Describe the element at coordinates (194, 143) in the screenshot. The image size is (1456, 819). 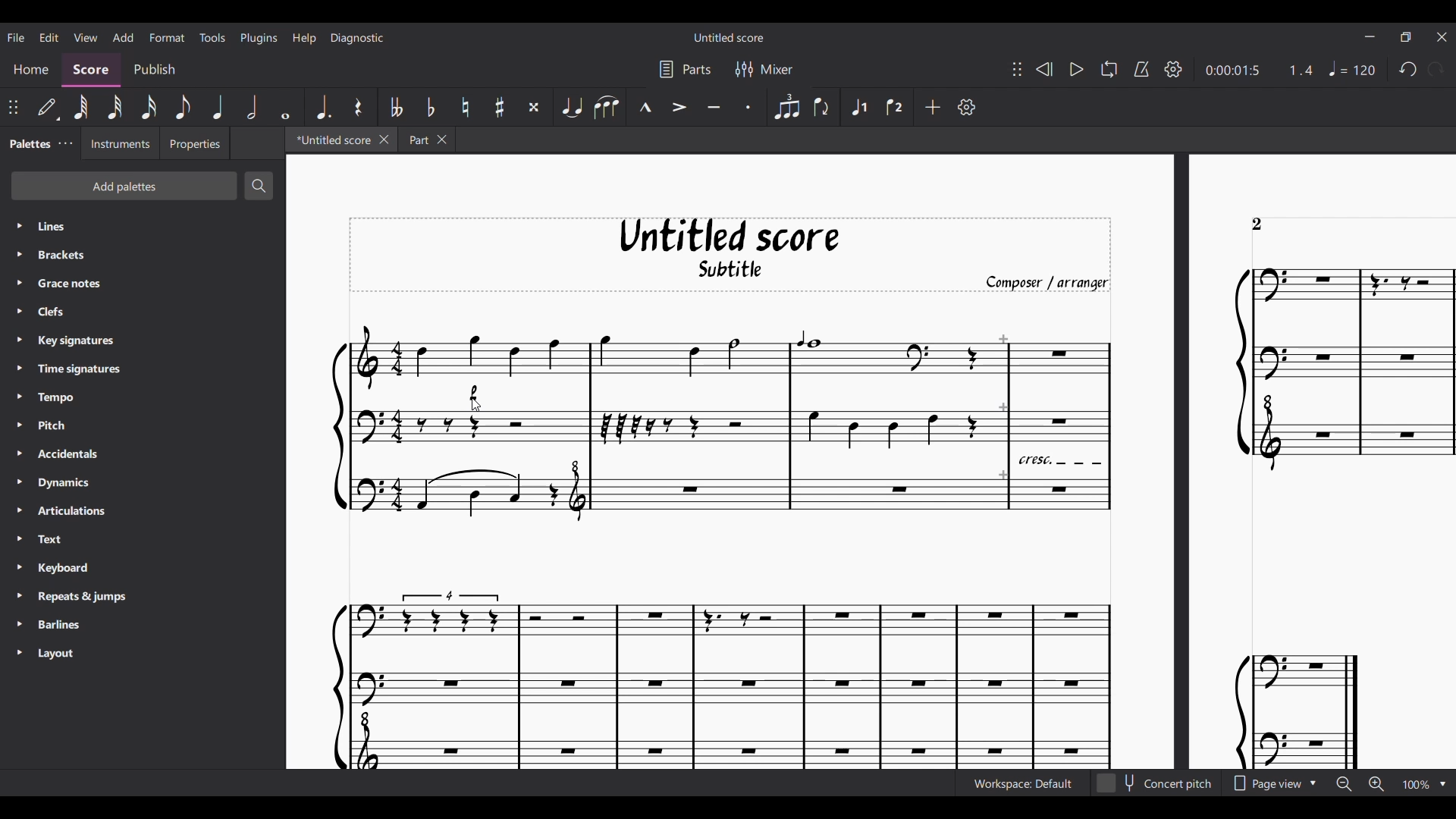
I see `Properties tab` at that location.